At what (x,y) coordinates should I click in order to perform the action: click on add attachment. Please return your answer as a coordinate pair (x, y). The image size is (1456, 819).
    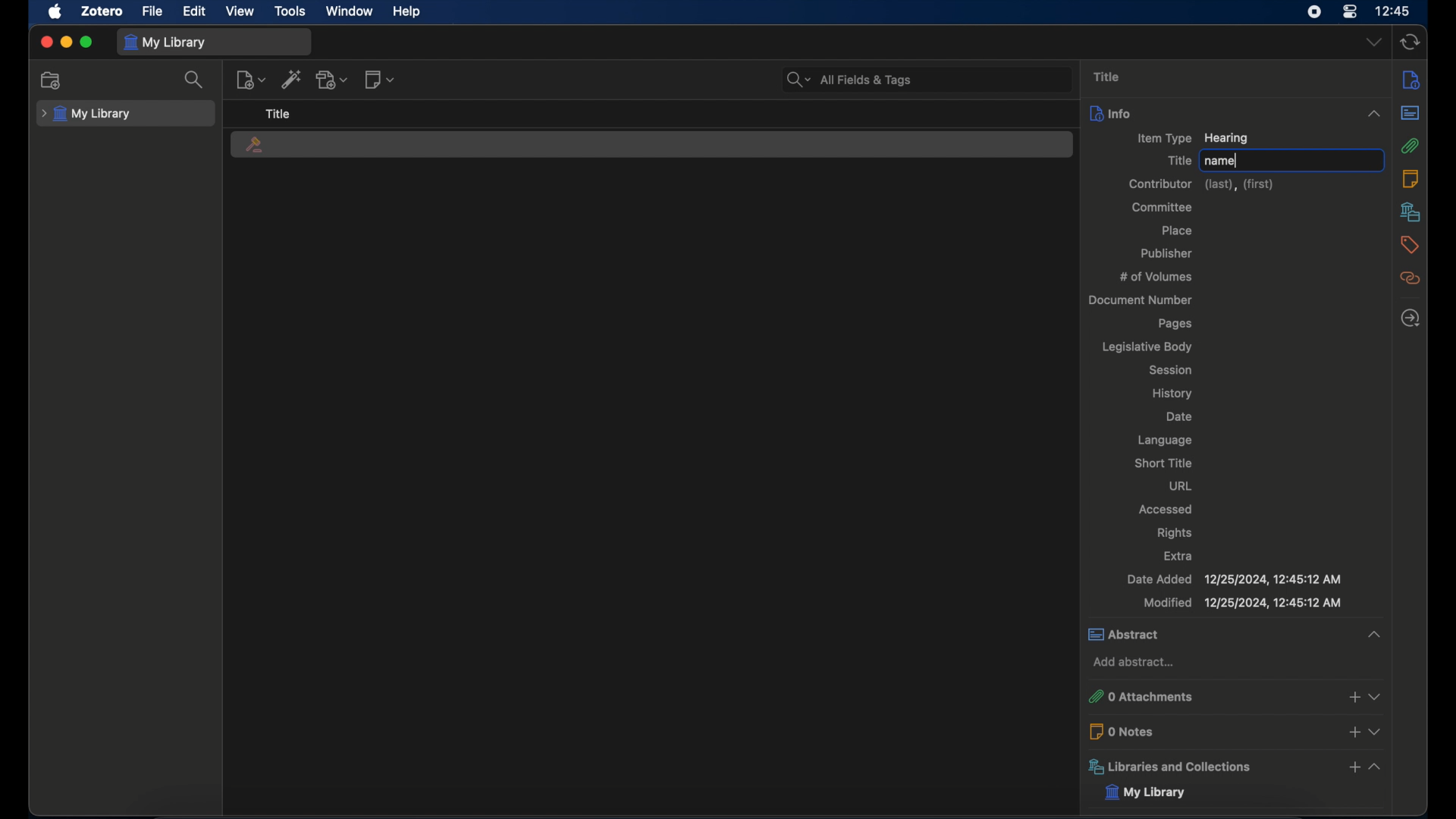
    Looking at the image, I should click on (332, 80).